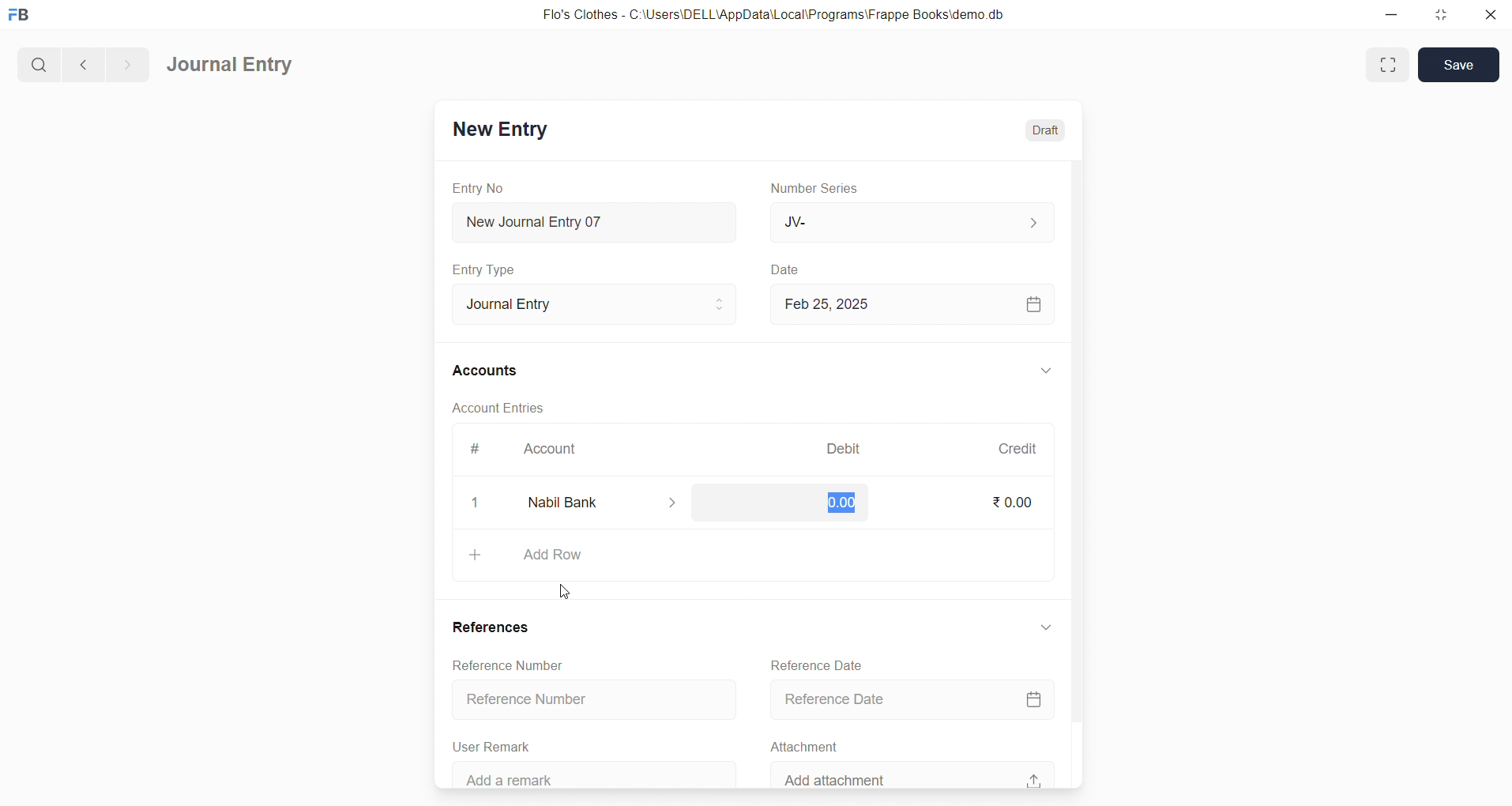 This screenshot has width=1512, height=806. What do you see at coordinates (596, 218) in the screenshot?
I see `New Journal Entry 07` at bounding box center [596, 218].